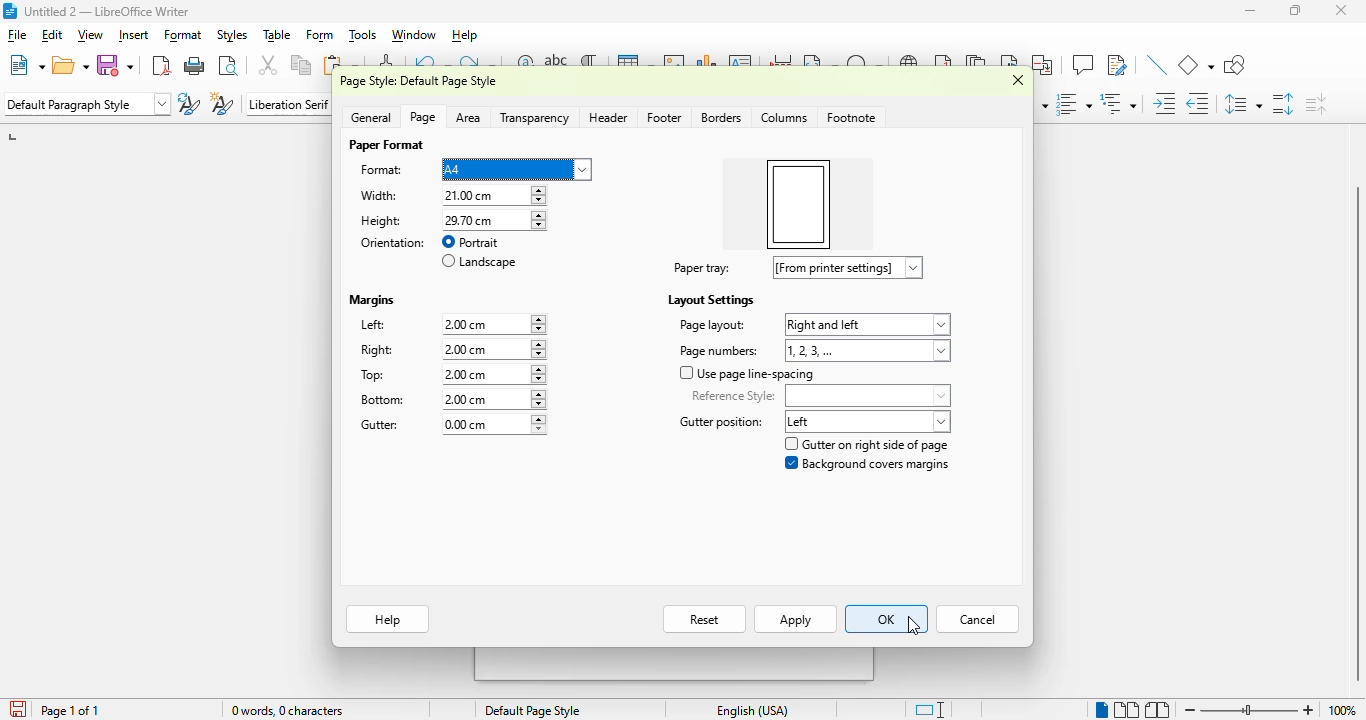 This screenshot has width=1366, height=720. I want to click on header, so click(608, 117).